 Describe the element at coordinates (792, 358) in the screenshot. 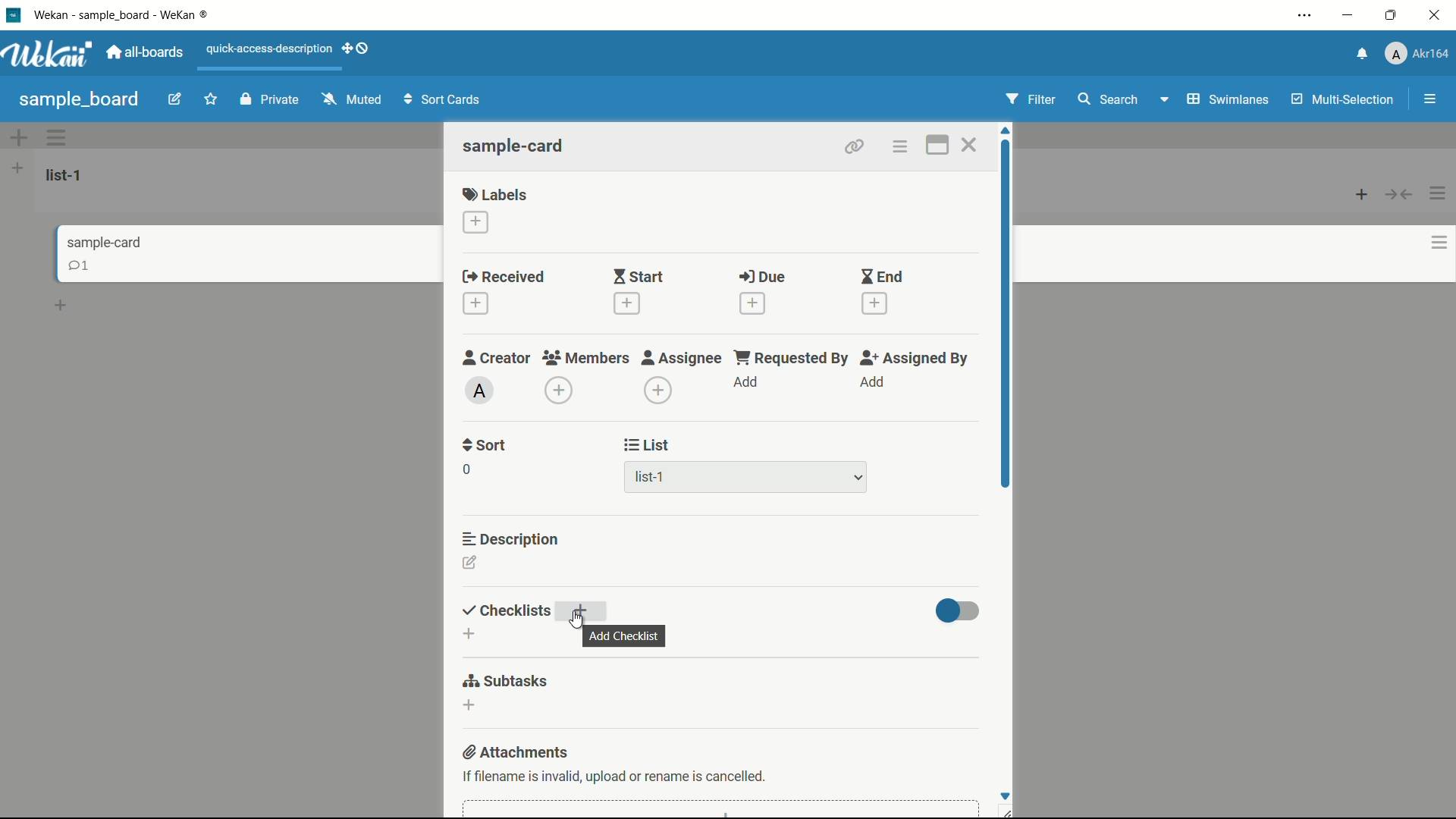

I see `requested by` at that location.